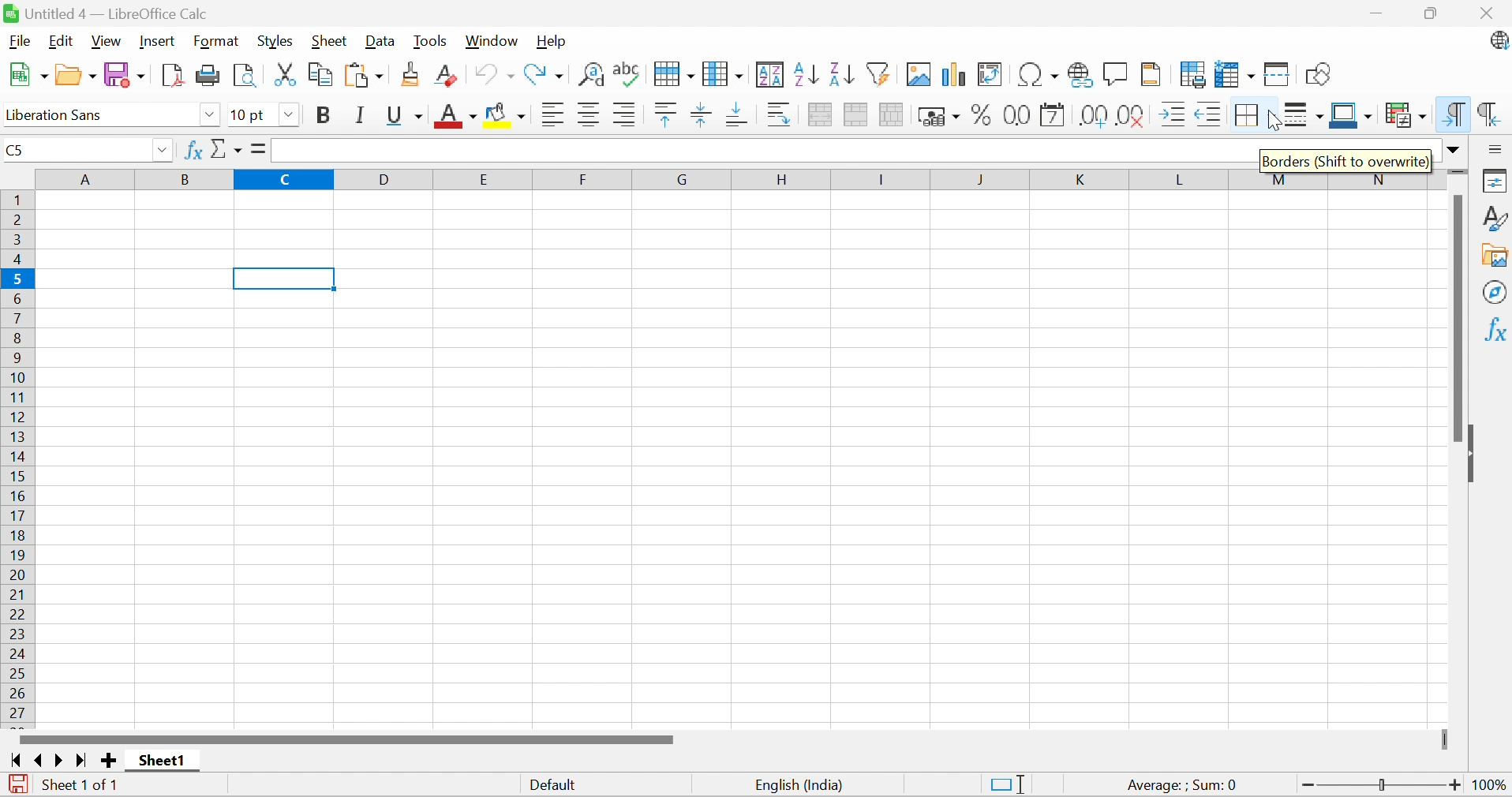  Describe the element at coordinates (1497, 148) in the screenshot. I see `Sidebar settings` at that location.